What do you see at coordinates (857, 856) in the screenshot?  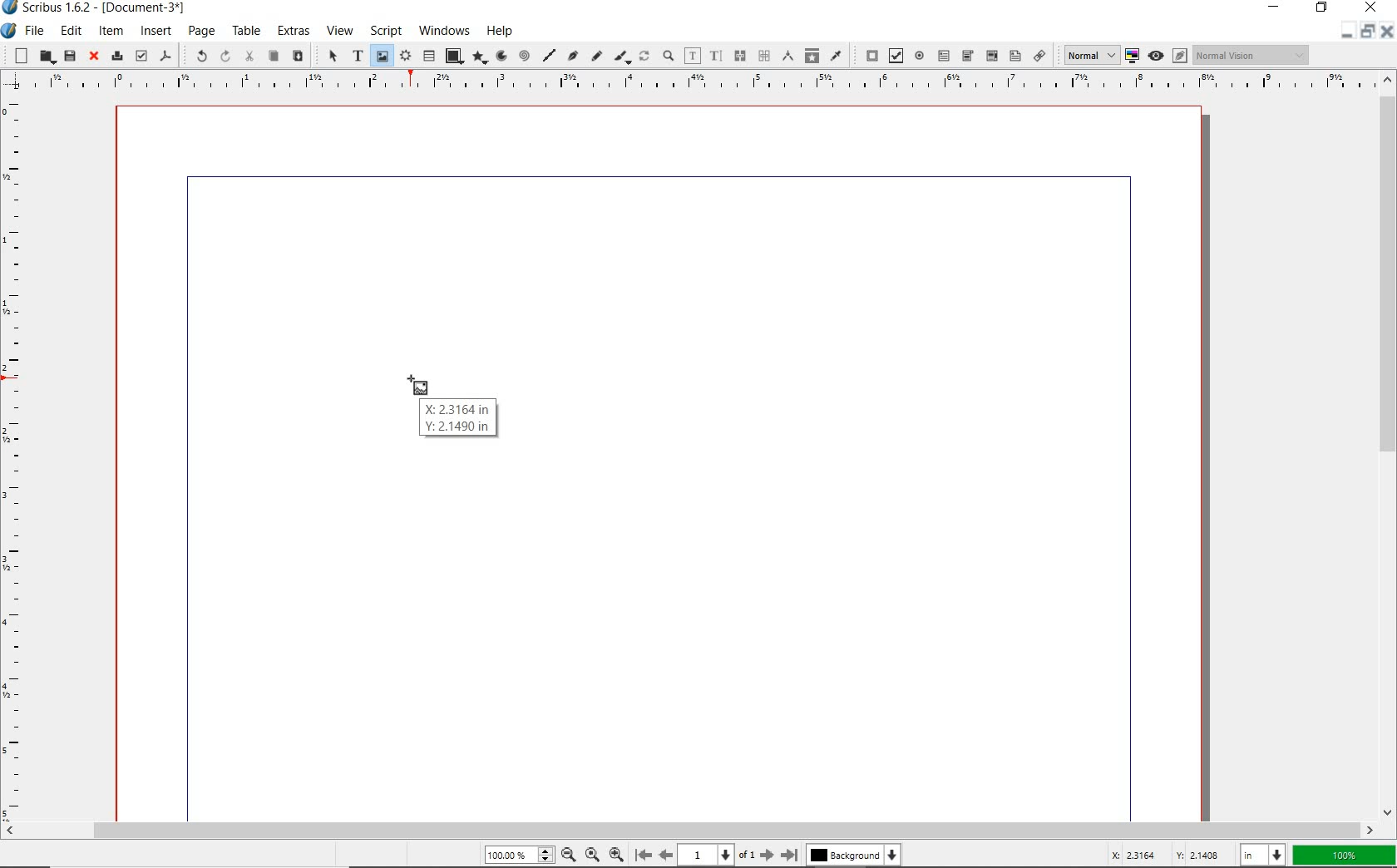 I see `background` at bounding box center [857, 856].